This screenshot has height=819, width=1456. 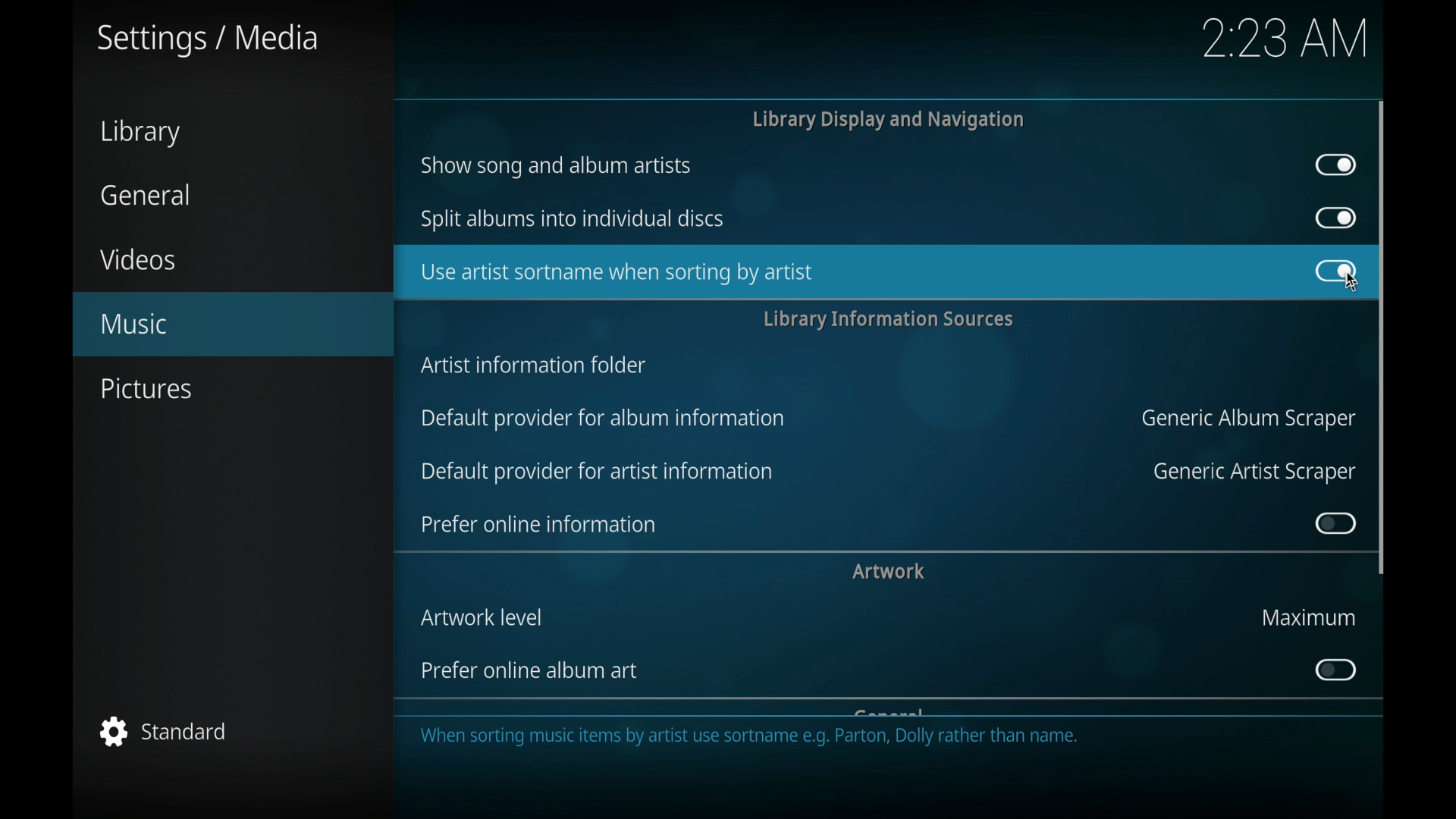 What do you see at coordinates (1382, 336) in the screenshot?
I see `scroll box` at bounding box center [1382, 336].